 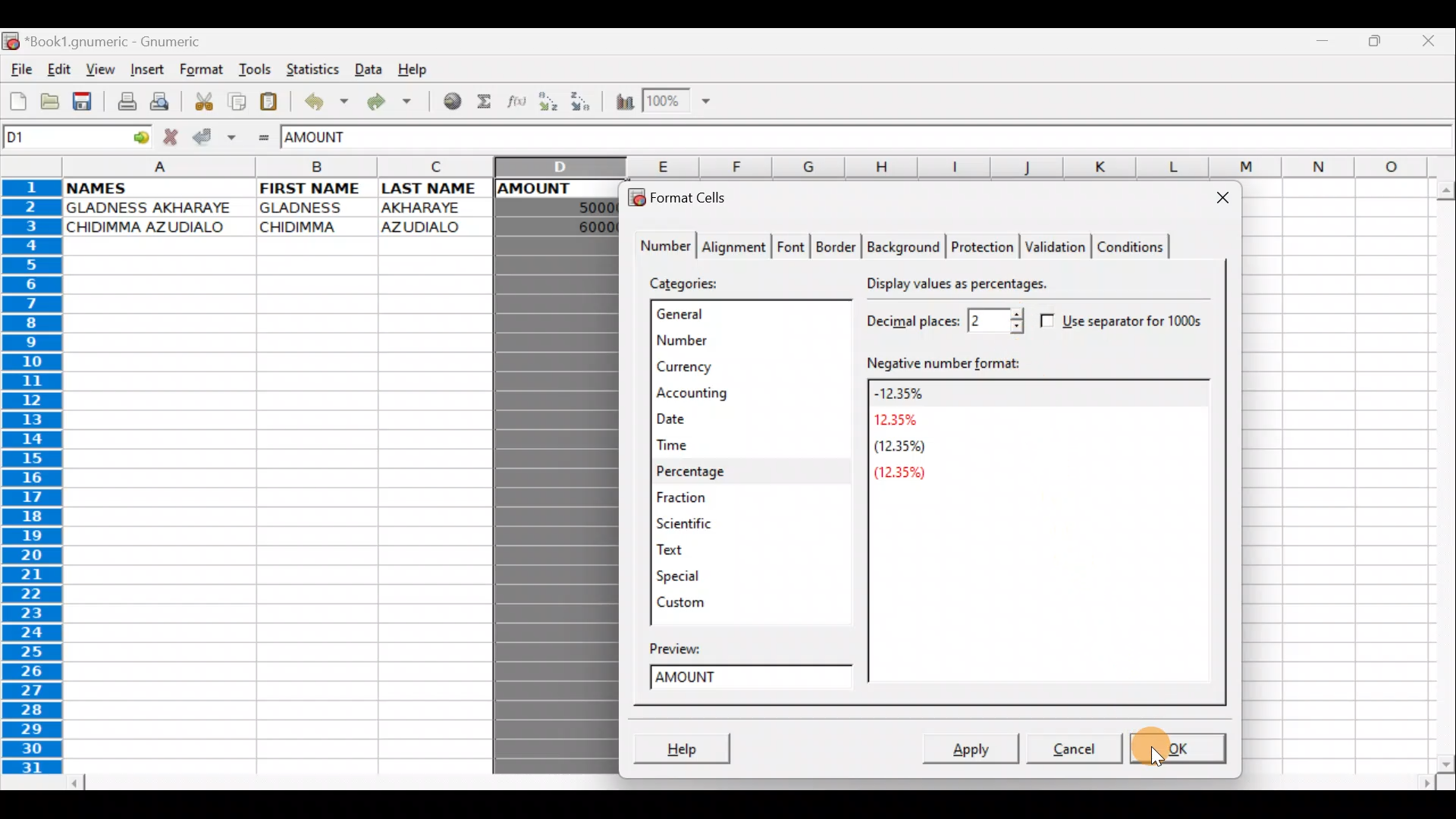 I want to click on Insert, so click(x=146, y=72).